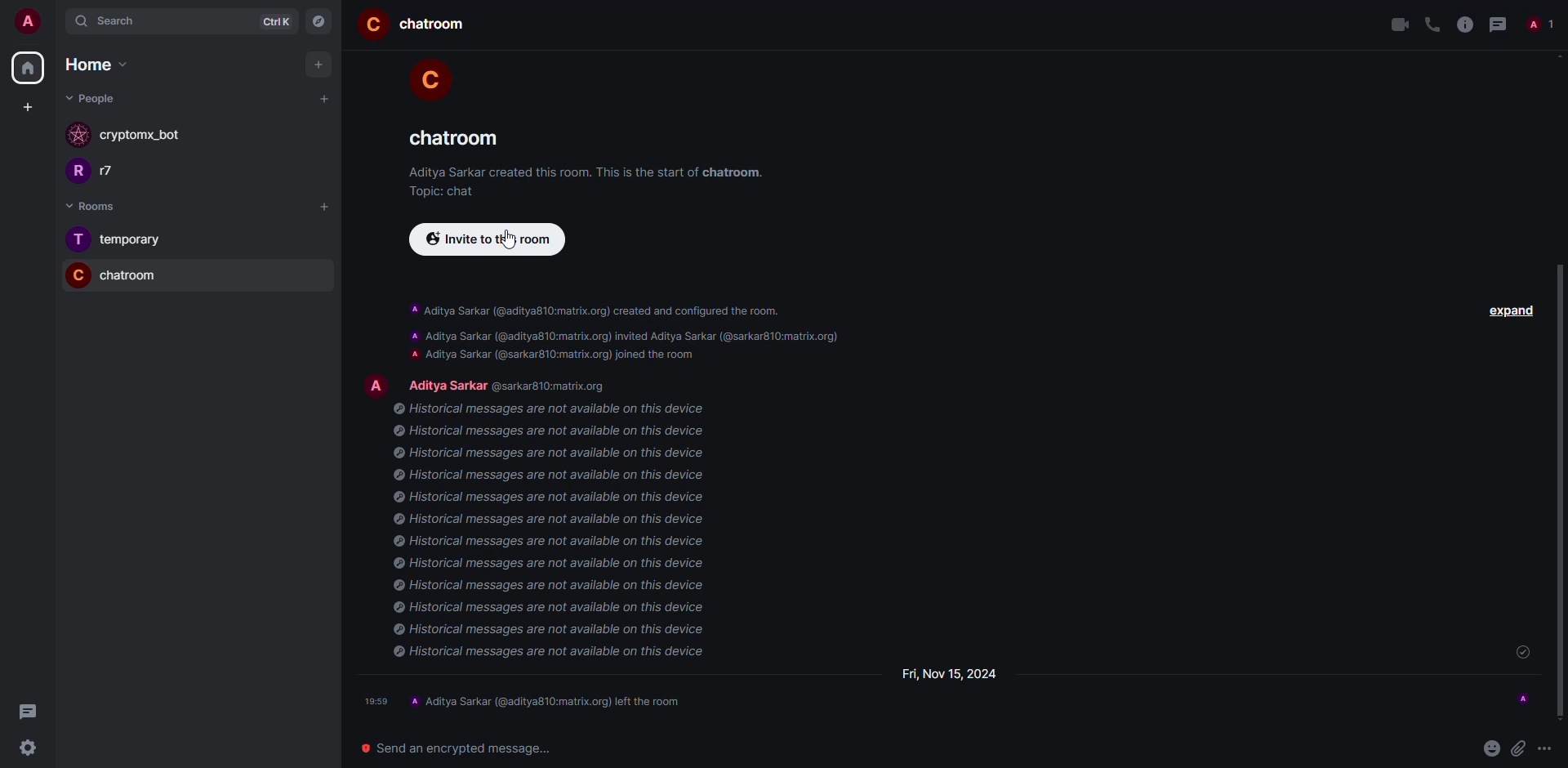  Describe the element at coordinates (951, 672) in the screenshot. I see `day` at that location.